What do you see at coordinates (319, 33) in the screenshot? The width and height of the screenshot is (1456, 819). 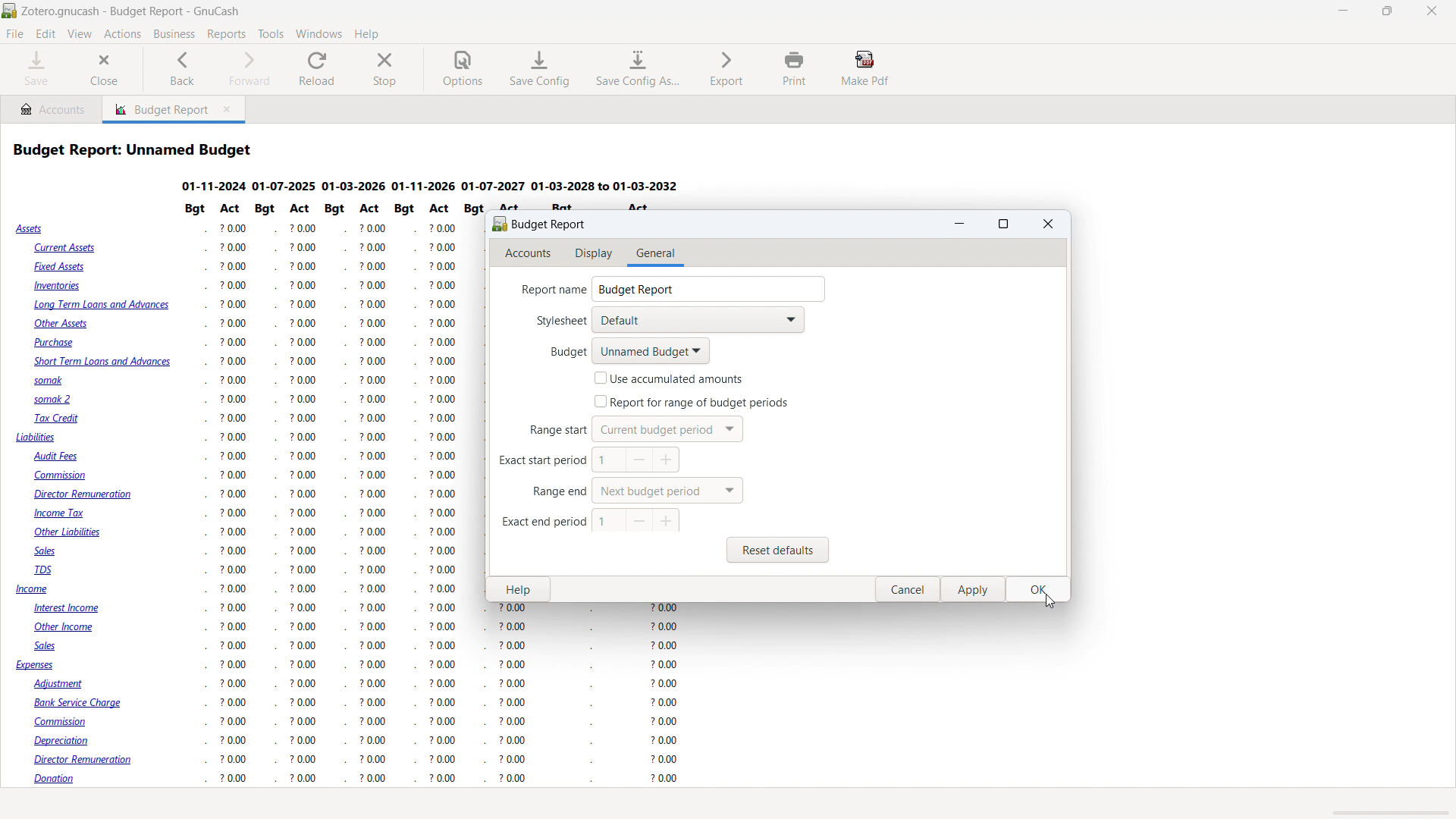 I see `windows` at bounding box center [319, 33].